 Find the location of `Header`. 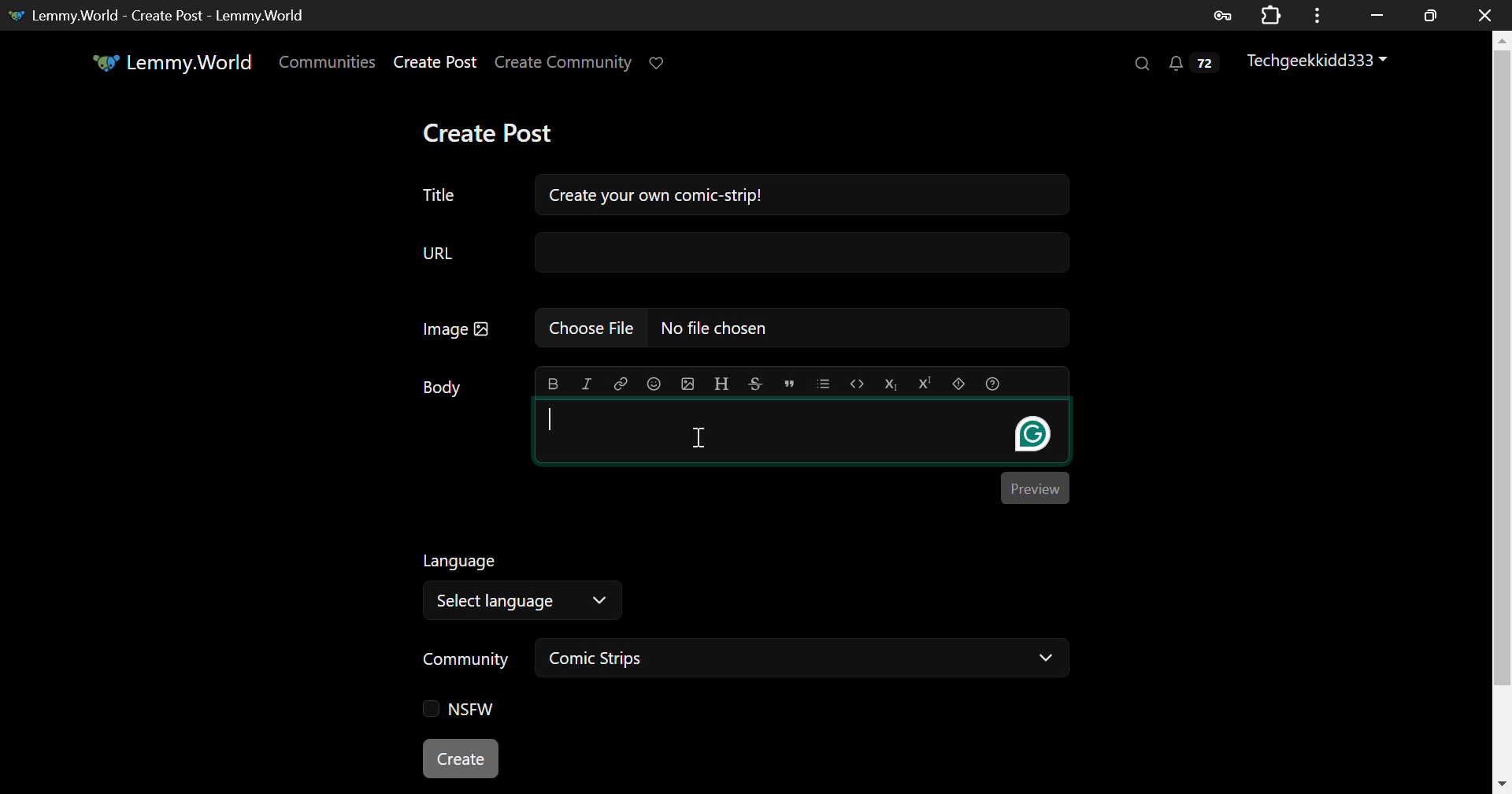

Header is located at coordinates (722, 384).